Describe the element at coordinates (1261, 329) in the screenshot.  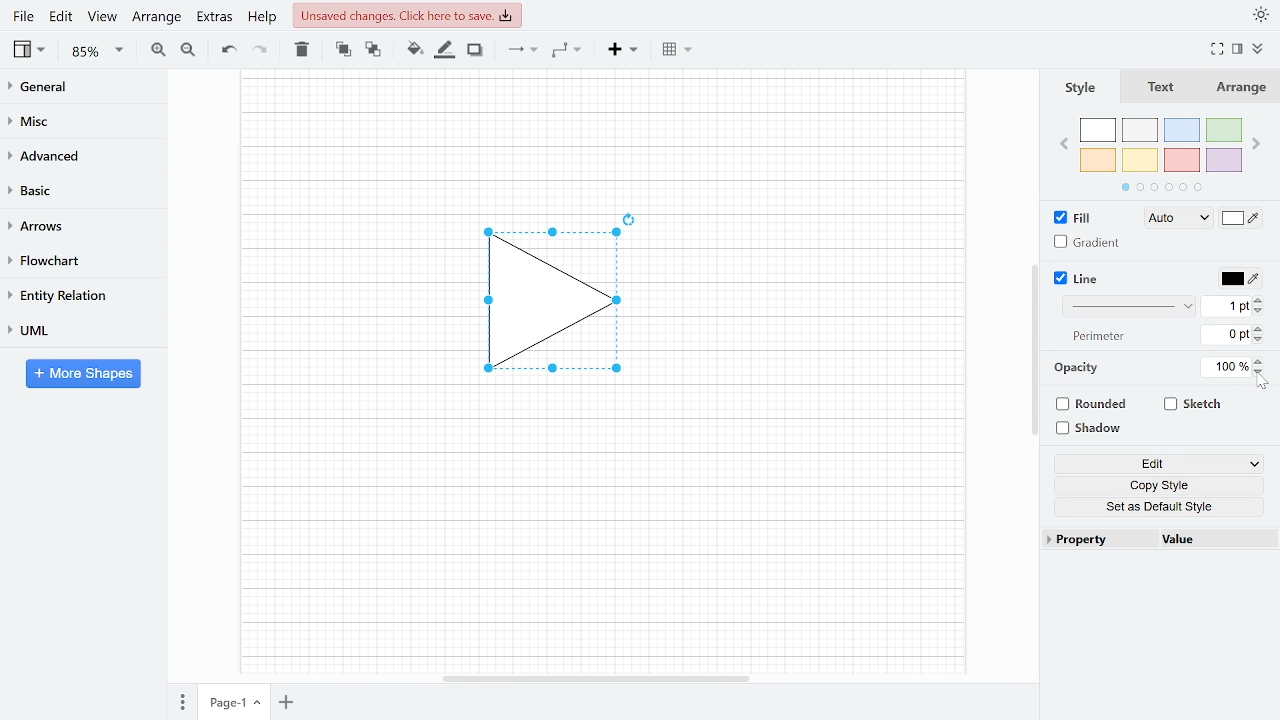
I see `Increase perimeter` at that location.